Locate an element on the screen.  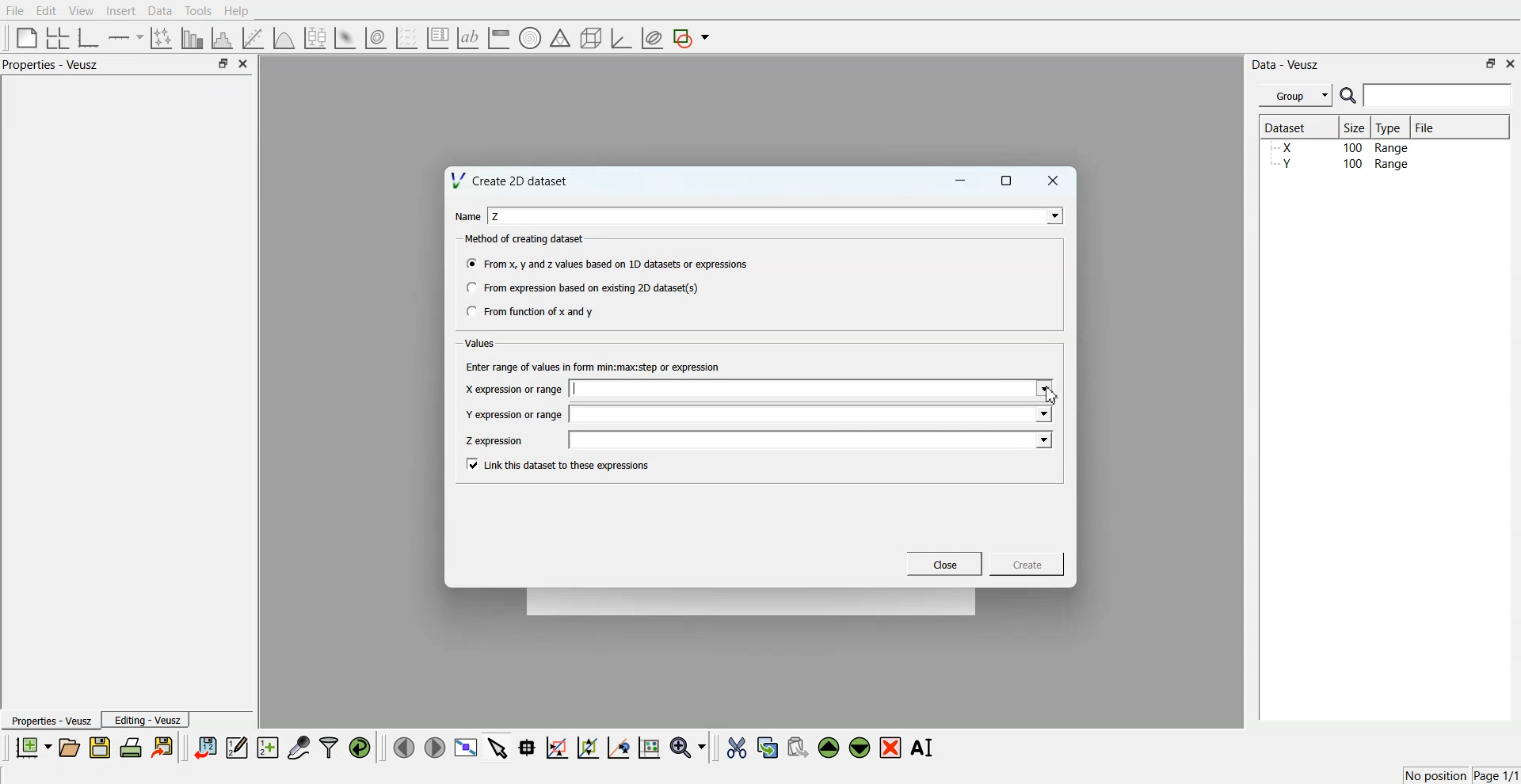
Draw a rectangle to zoom graph axes is located at coordinates (556, 748).